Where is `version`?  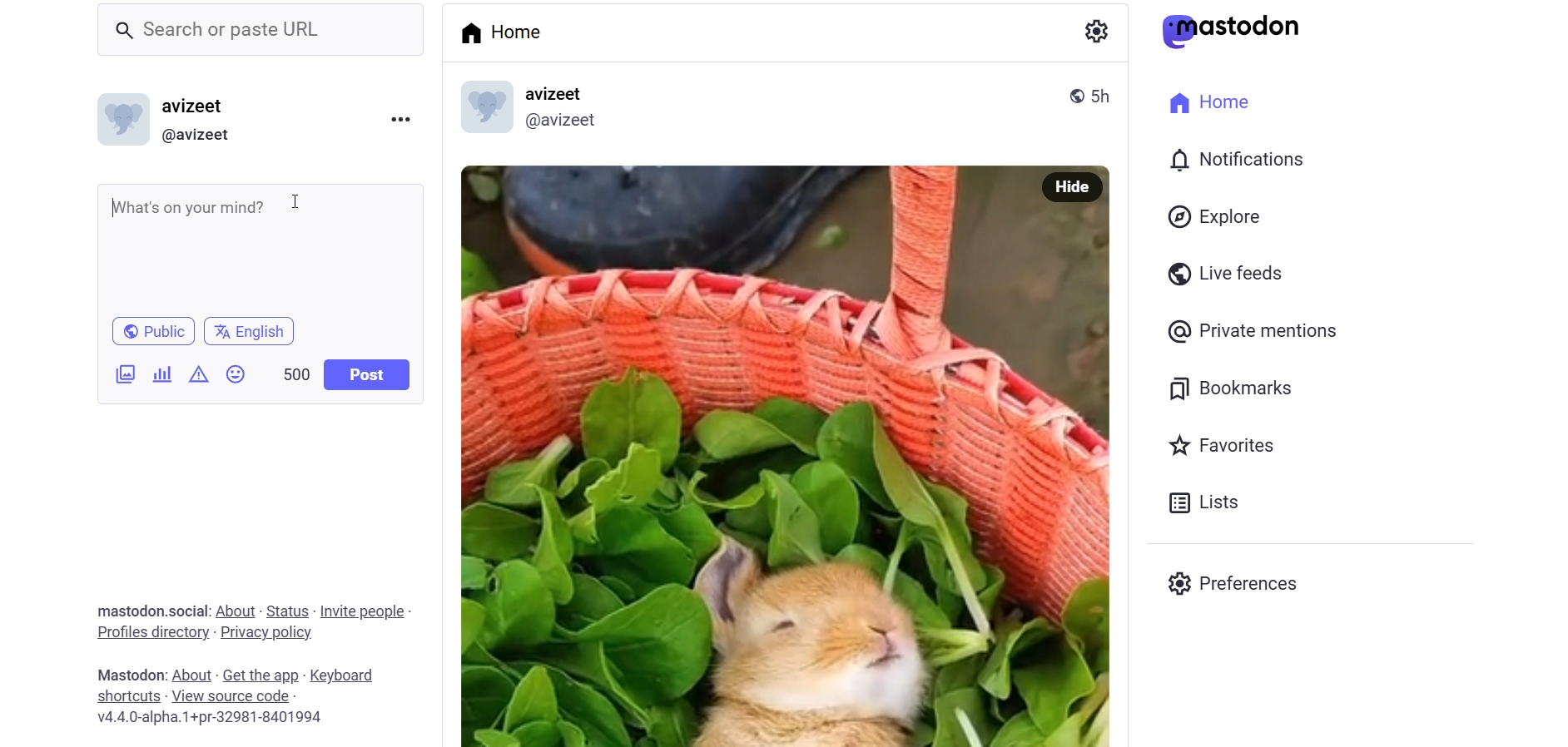 version is located at coordinates (216, 719).